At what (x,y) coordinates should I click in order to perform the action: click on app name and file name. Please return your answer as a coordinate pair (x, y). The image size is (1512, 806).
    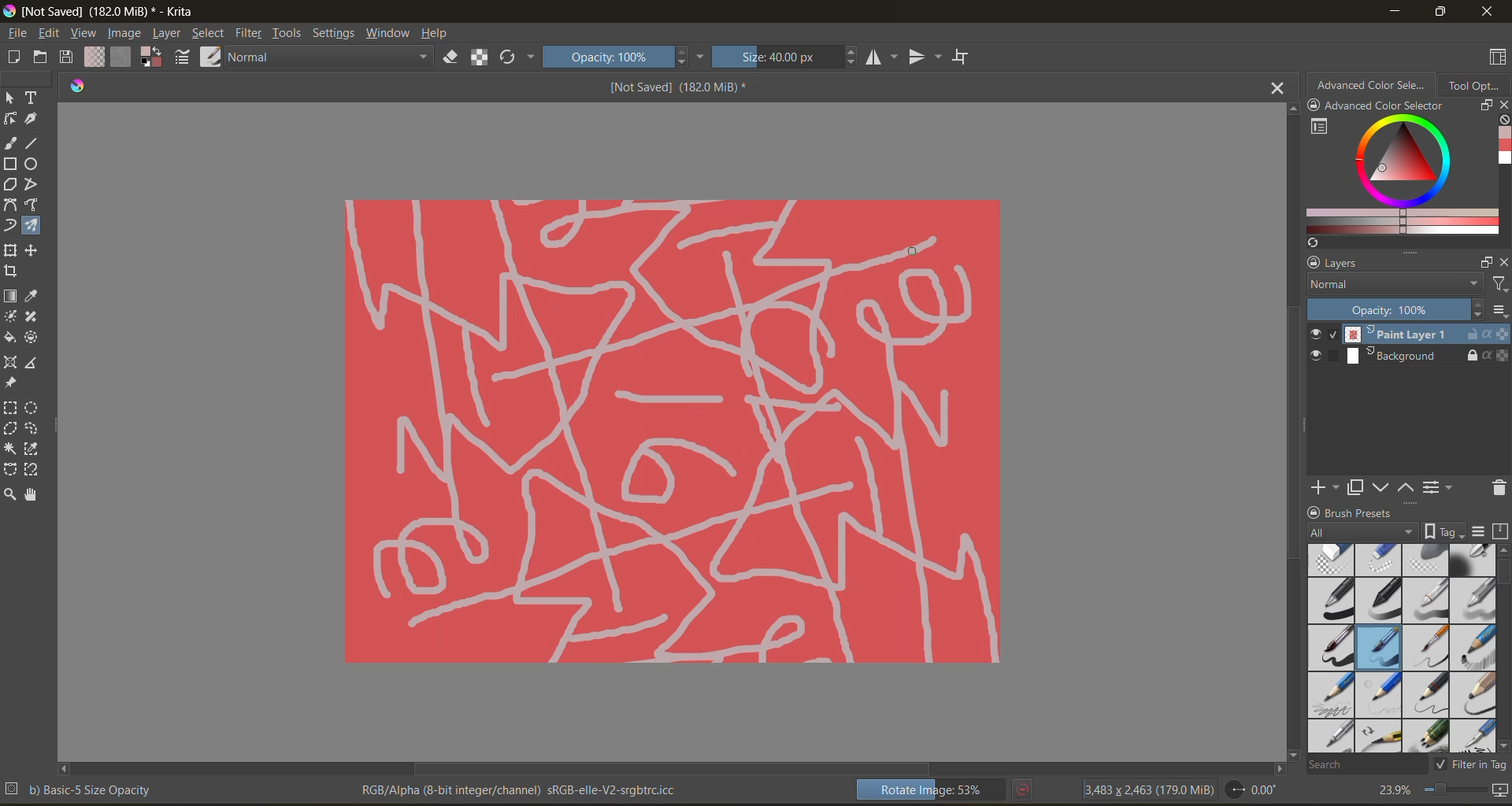
    Looking at the image, I should click on (106, 12).